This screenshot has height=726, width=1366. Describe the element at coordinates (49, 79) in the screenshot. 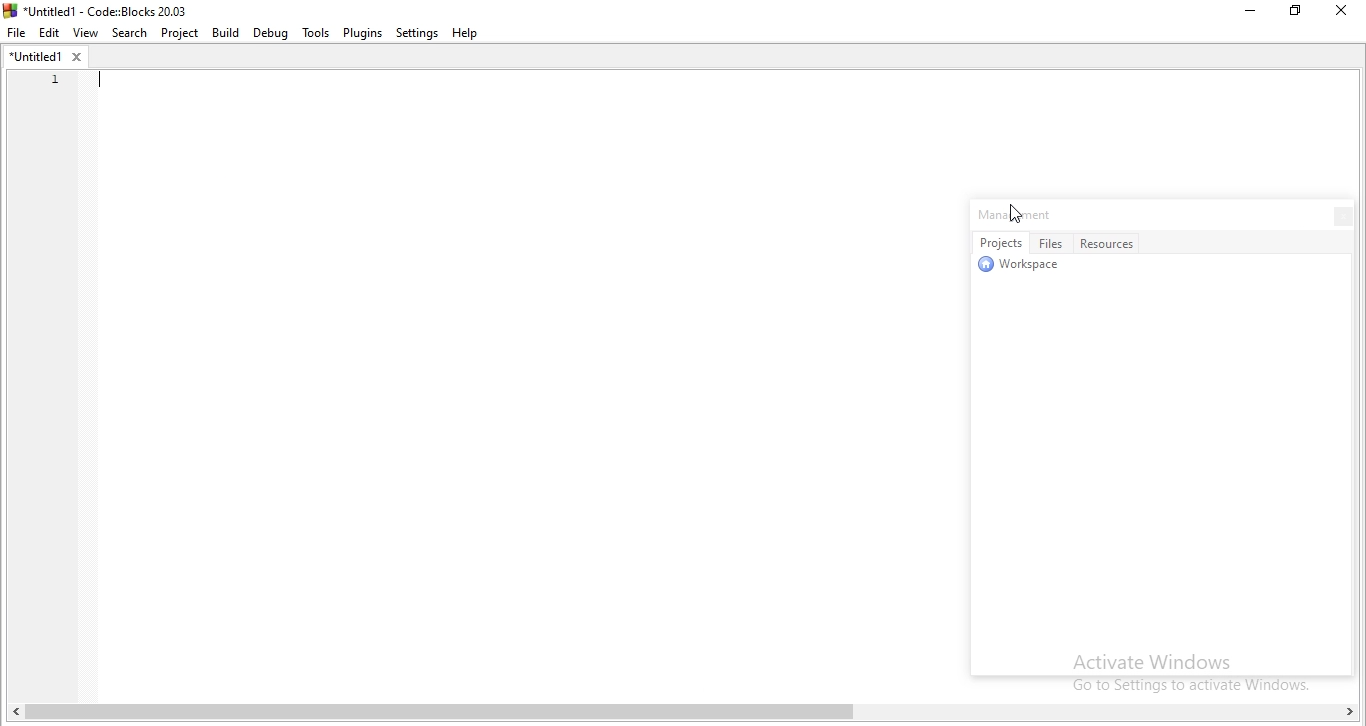

I see `1.` at that location.